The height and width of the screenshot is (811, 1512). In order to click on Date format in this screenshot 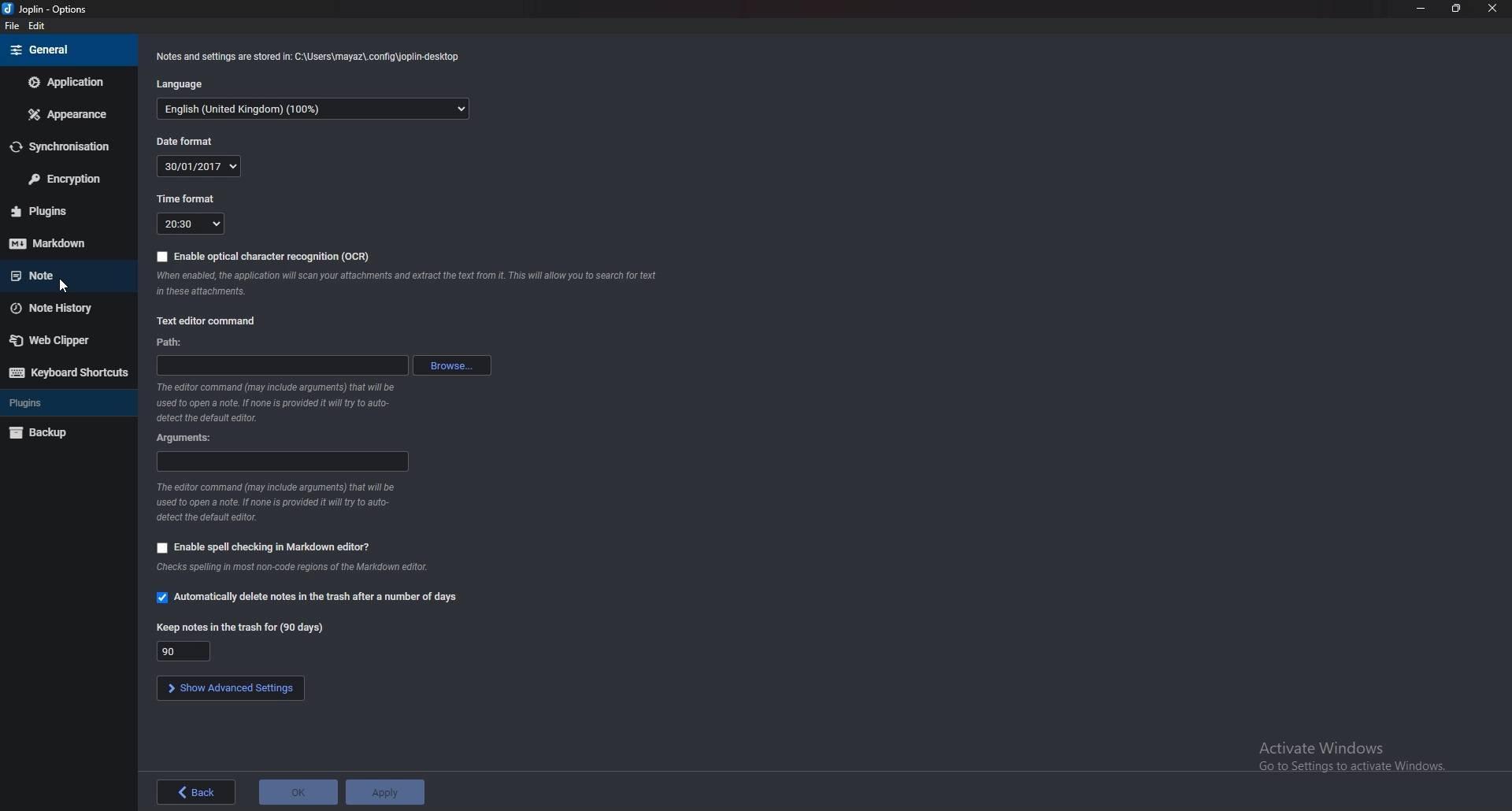, I will do `click(198, 165)`.